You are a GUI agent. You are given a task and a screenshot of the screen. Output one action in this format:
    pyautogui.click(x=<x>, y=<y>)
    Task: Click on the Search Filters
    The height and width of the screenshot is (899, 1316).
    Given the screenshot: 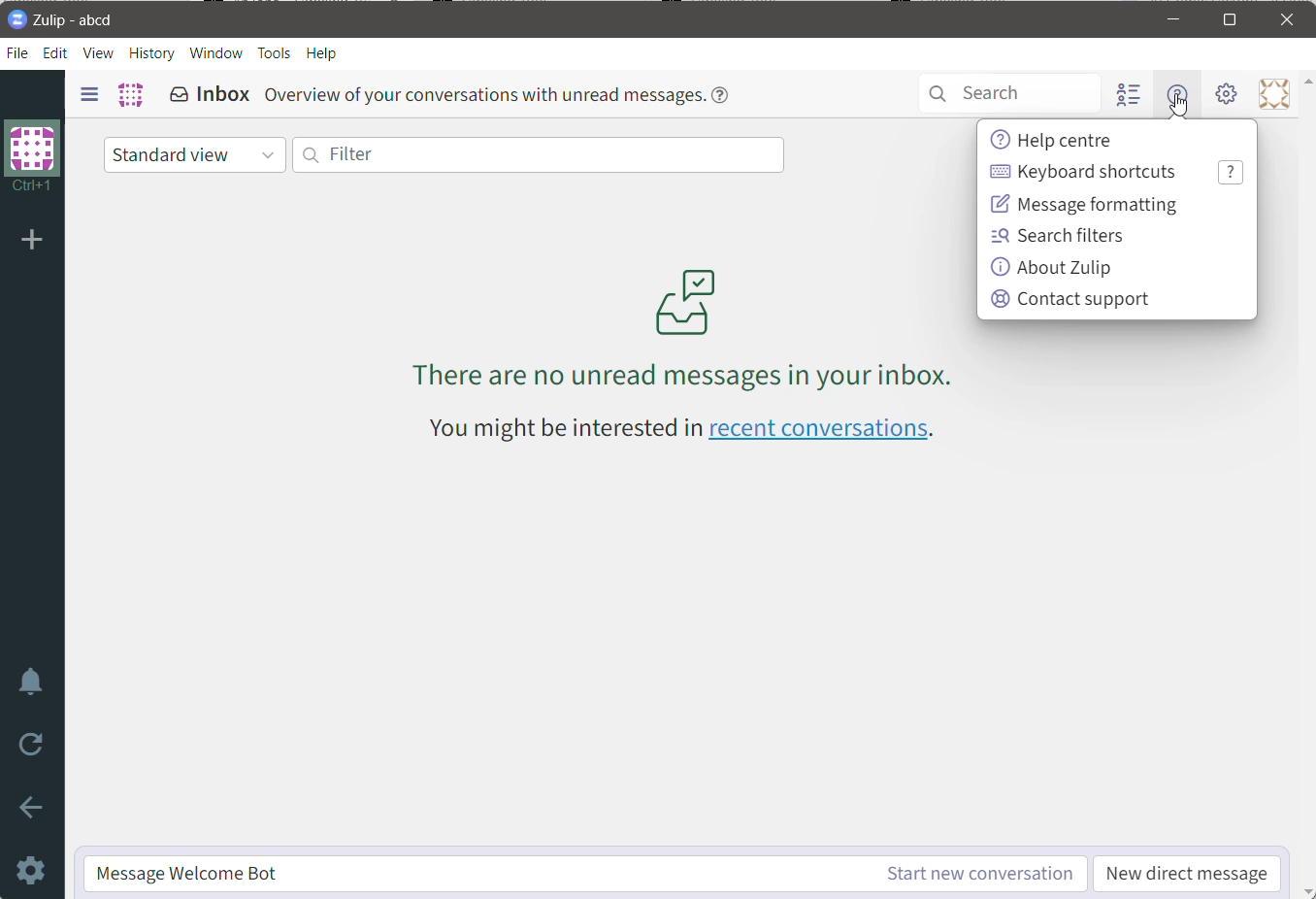 What is the action you would take?
    pyautogui.click(x=1059, y=235)
    